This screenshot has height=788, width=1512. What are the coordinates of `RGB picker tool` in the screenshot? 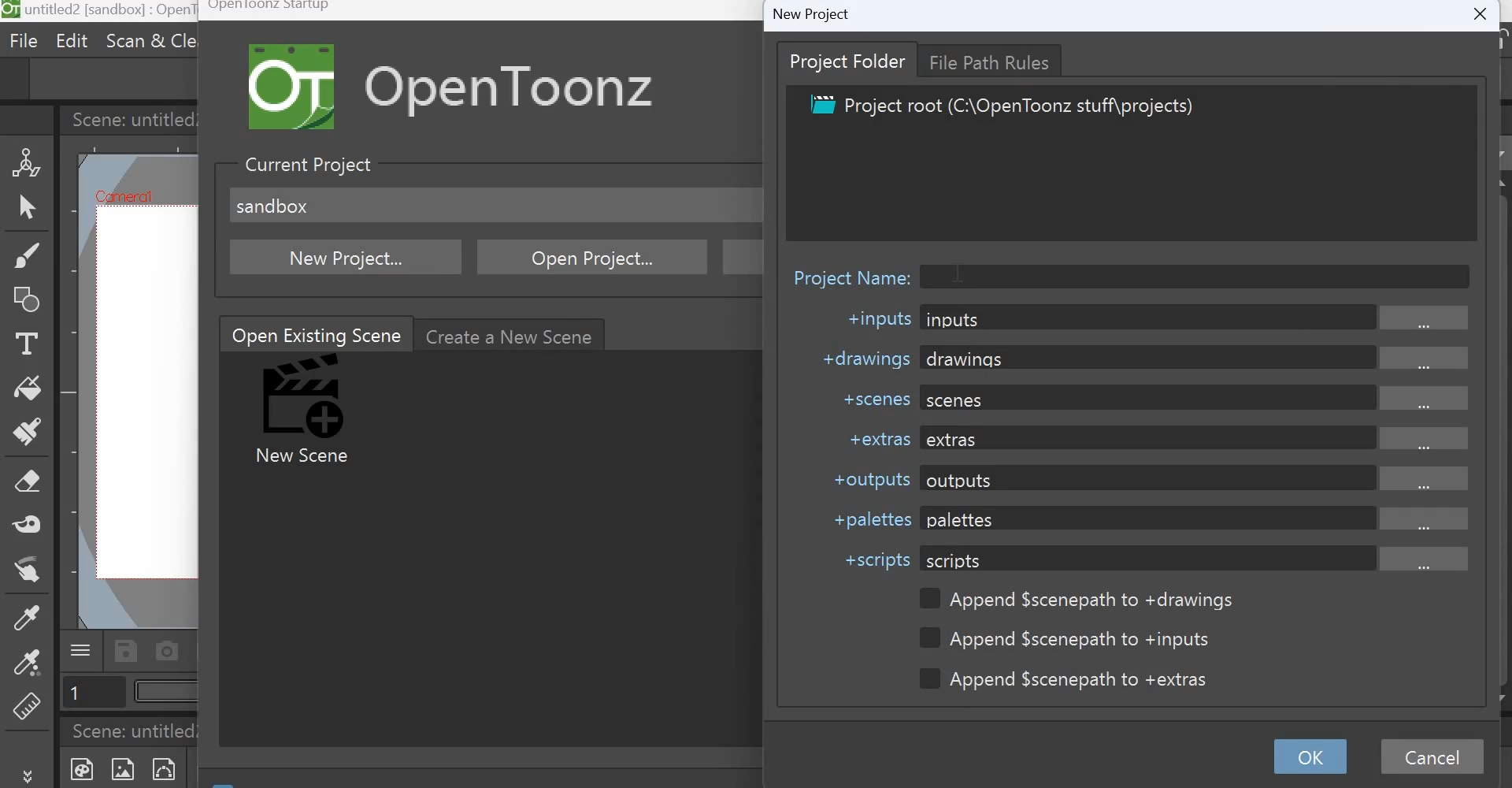 It's located at (26, 667).